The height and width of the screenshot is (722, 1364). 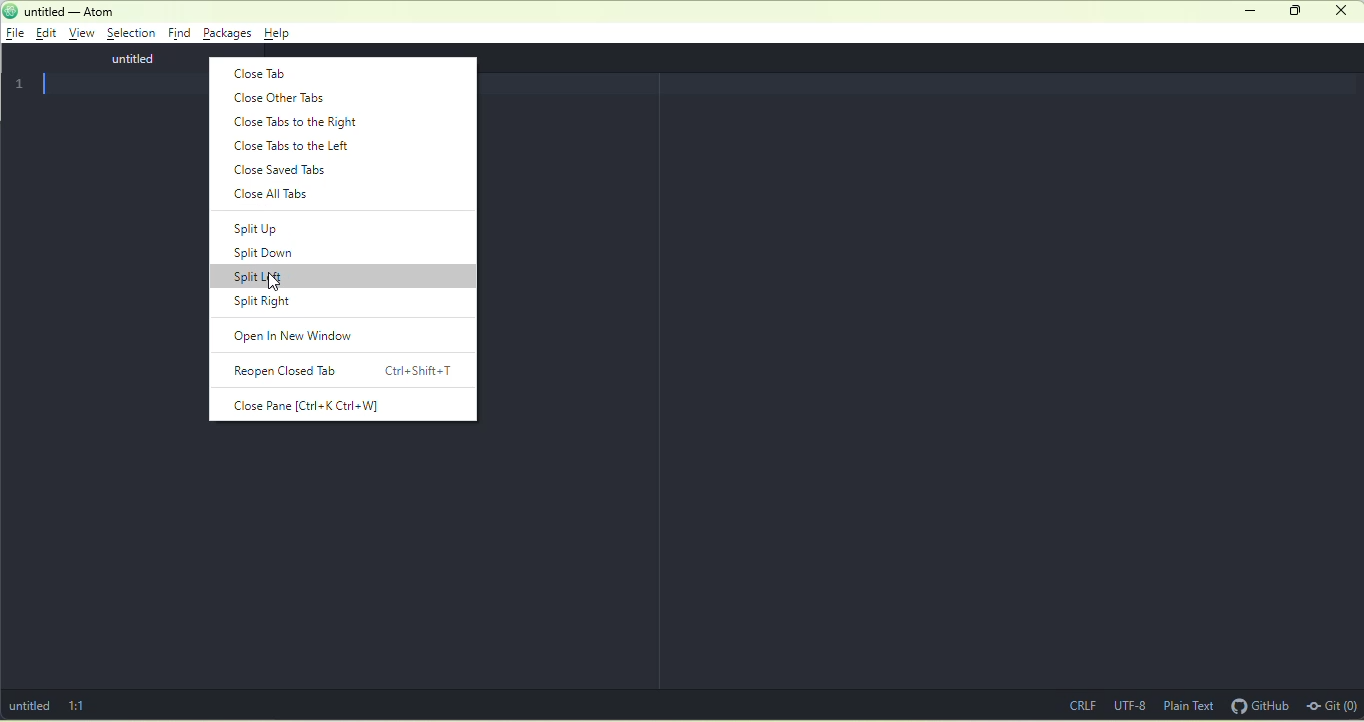 What do you see at coordinates (119, 59) in the screenshot?
I see `untitled` at bounding box center [119, 59].